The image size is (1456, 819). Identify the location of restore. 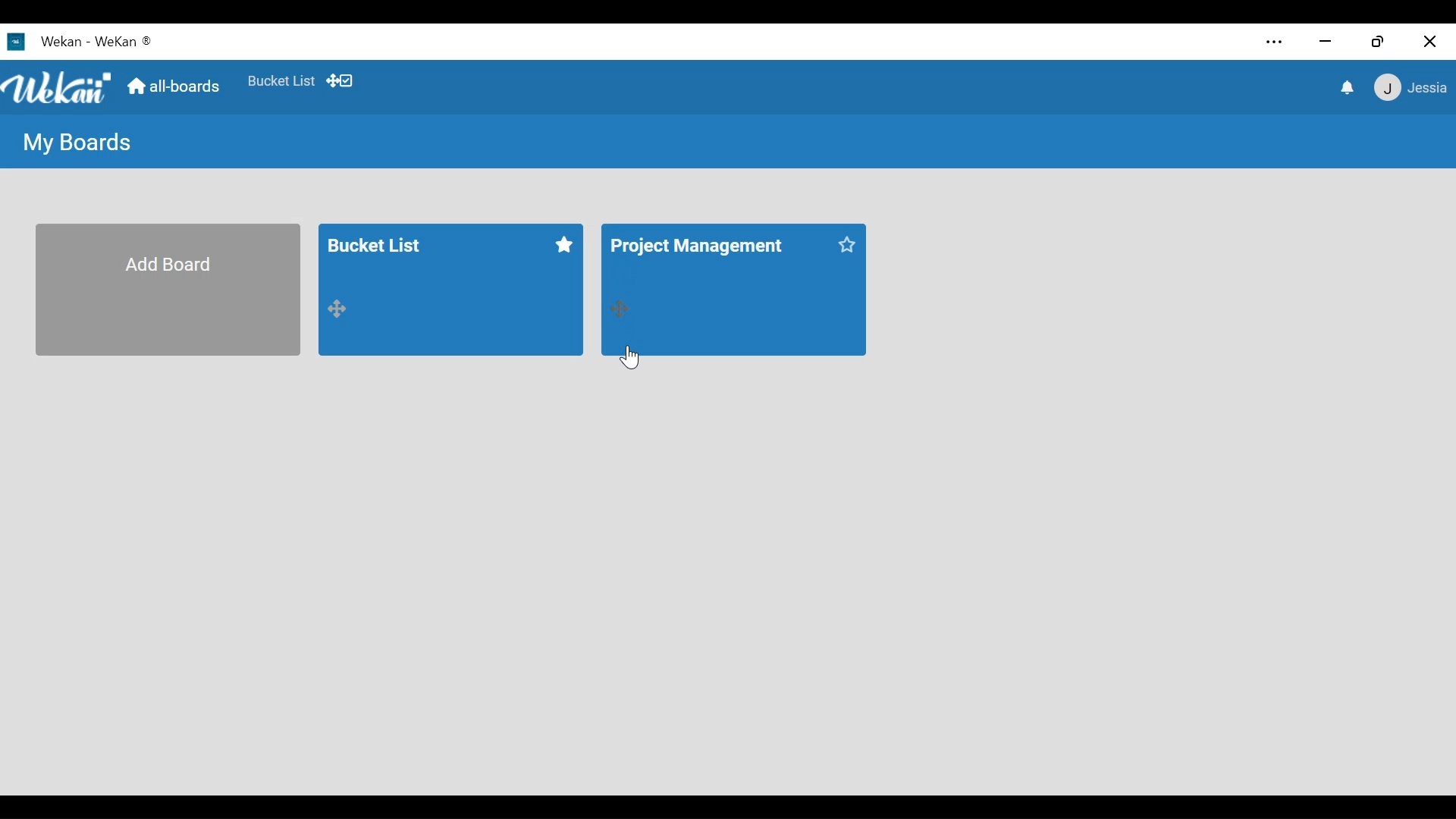
(1376, 42).